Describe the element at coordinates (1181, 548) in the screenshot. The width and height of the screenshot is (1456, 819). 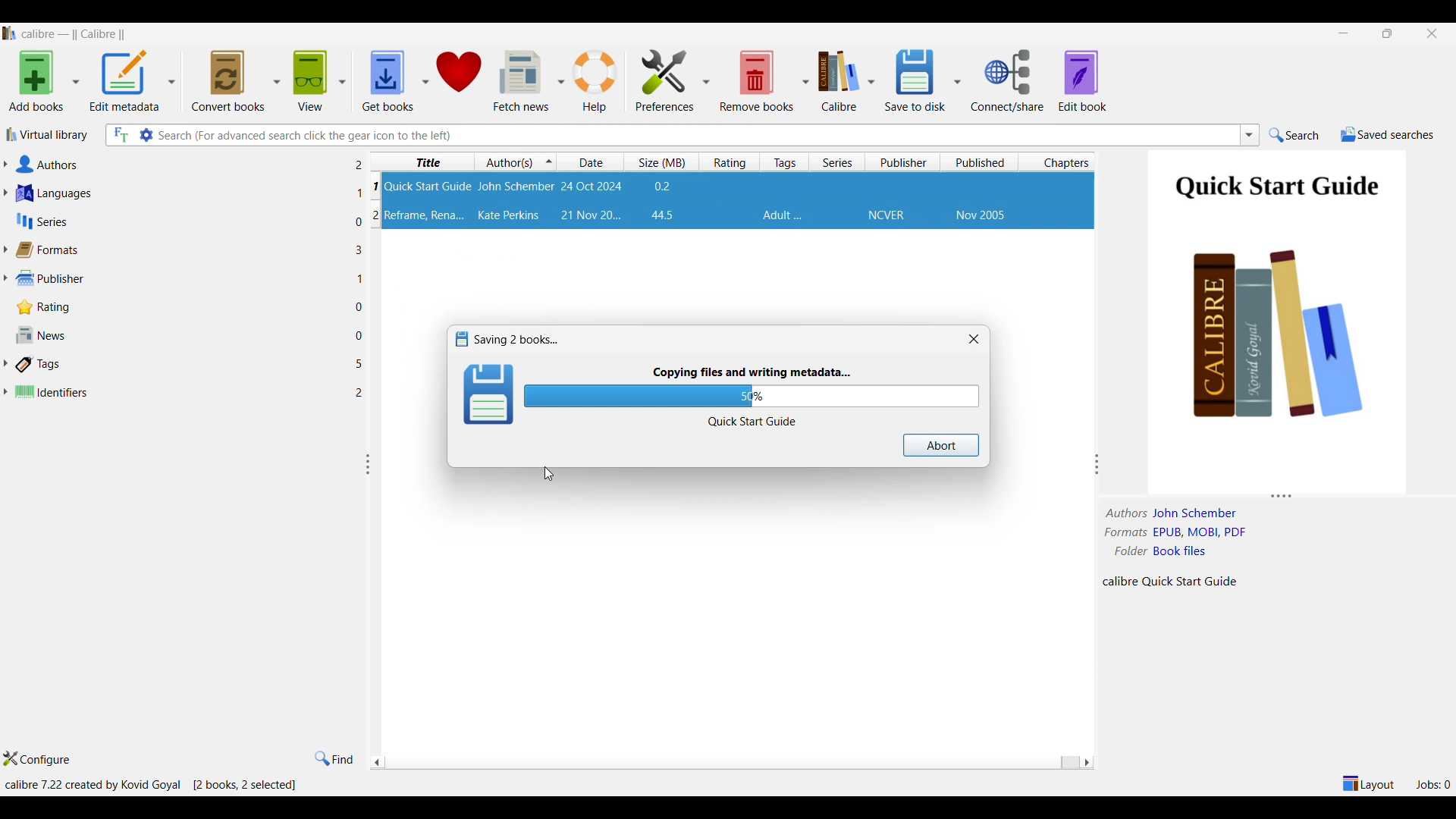
I see `Book details` at that location.